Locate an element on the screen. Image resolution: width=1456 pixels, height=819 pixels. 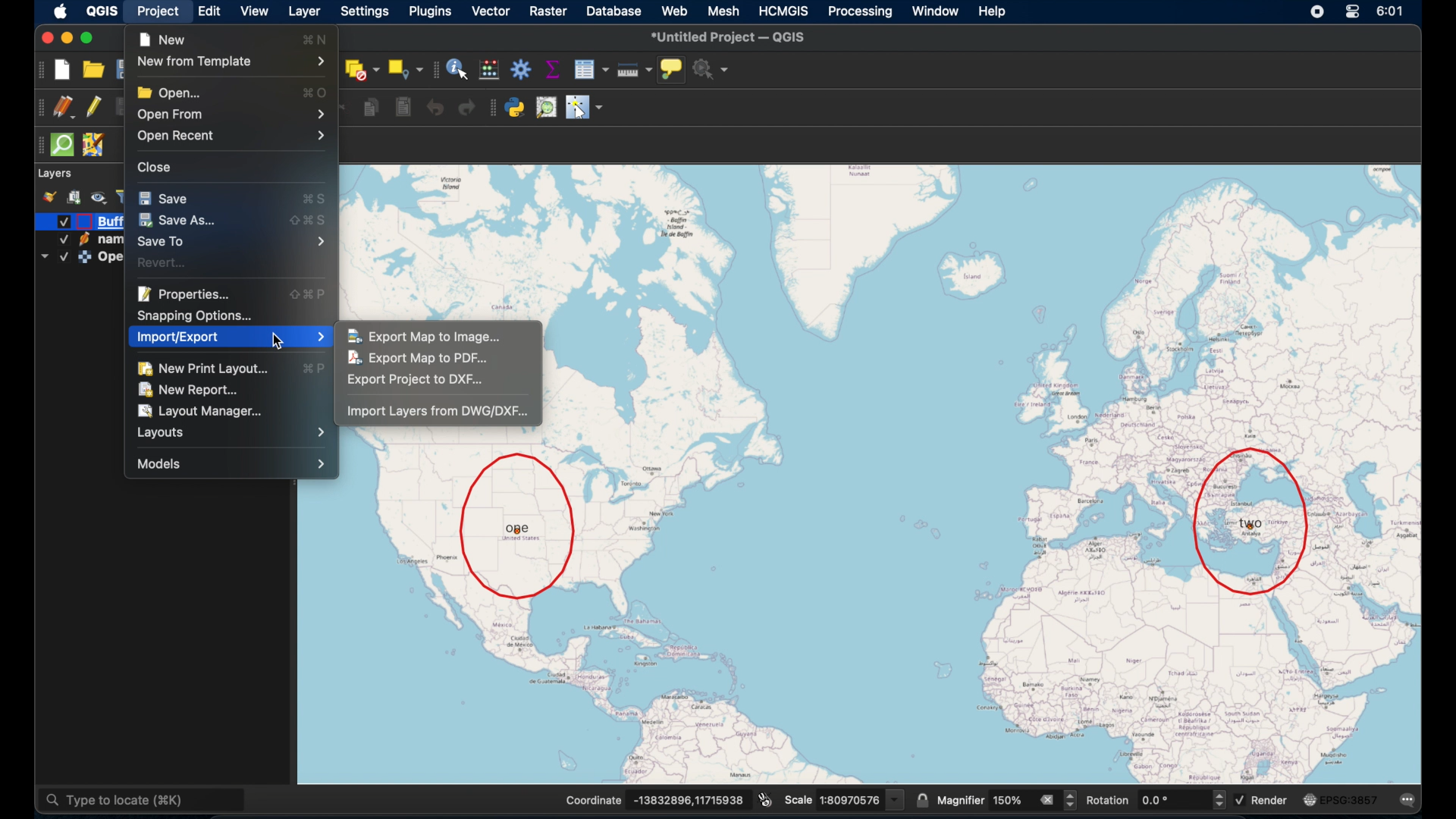
project toolbar is located at coordinates (39, 70).